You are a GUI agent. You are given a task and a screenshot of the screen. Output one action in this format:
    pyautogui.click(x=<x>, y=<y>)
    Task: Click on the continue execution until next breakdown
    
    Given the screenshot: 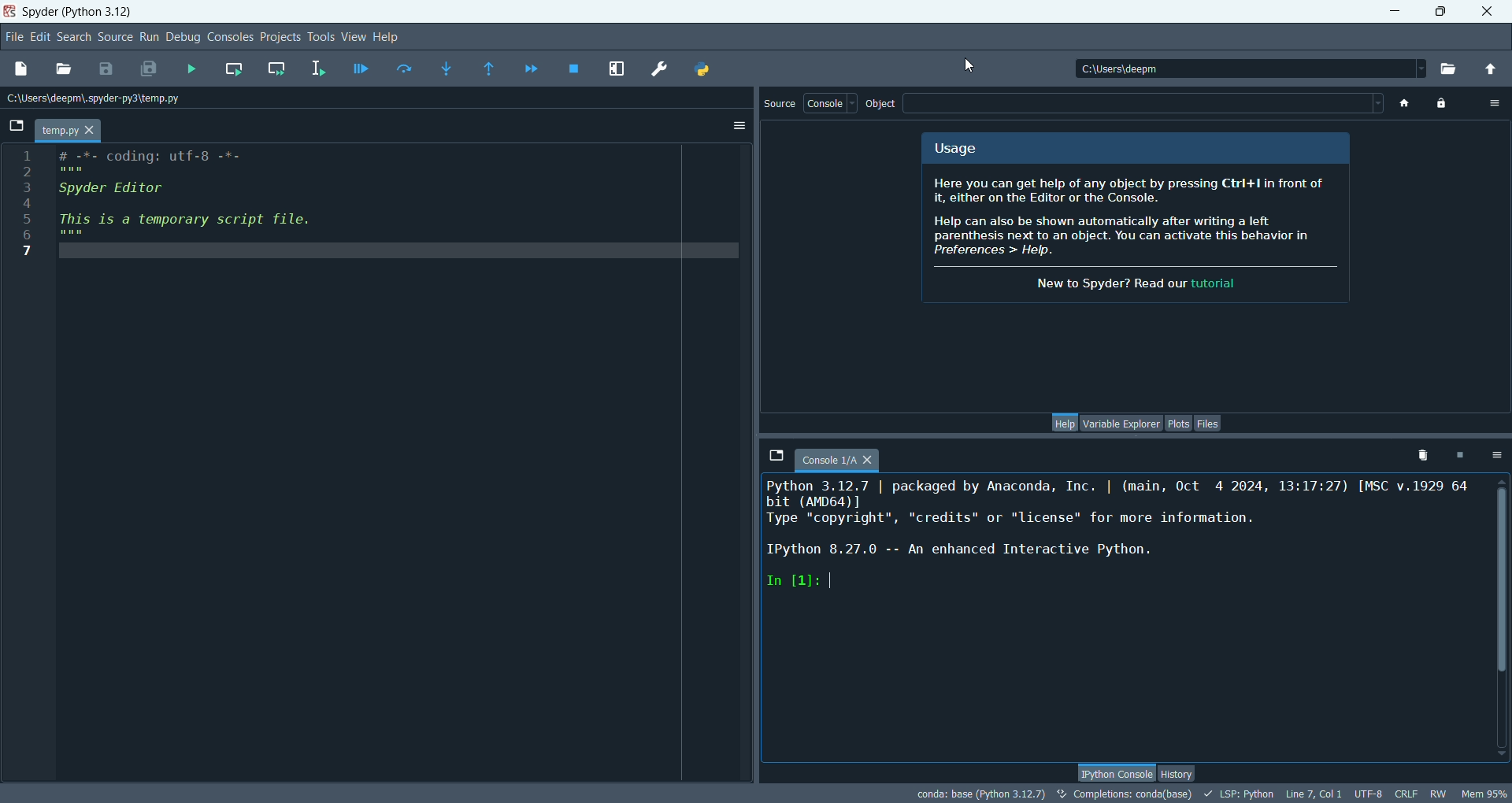 What is the action you would take?
    pyautogui.click(x=532, y=68)
    